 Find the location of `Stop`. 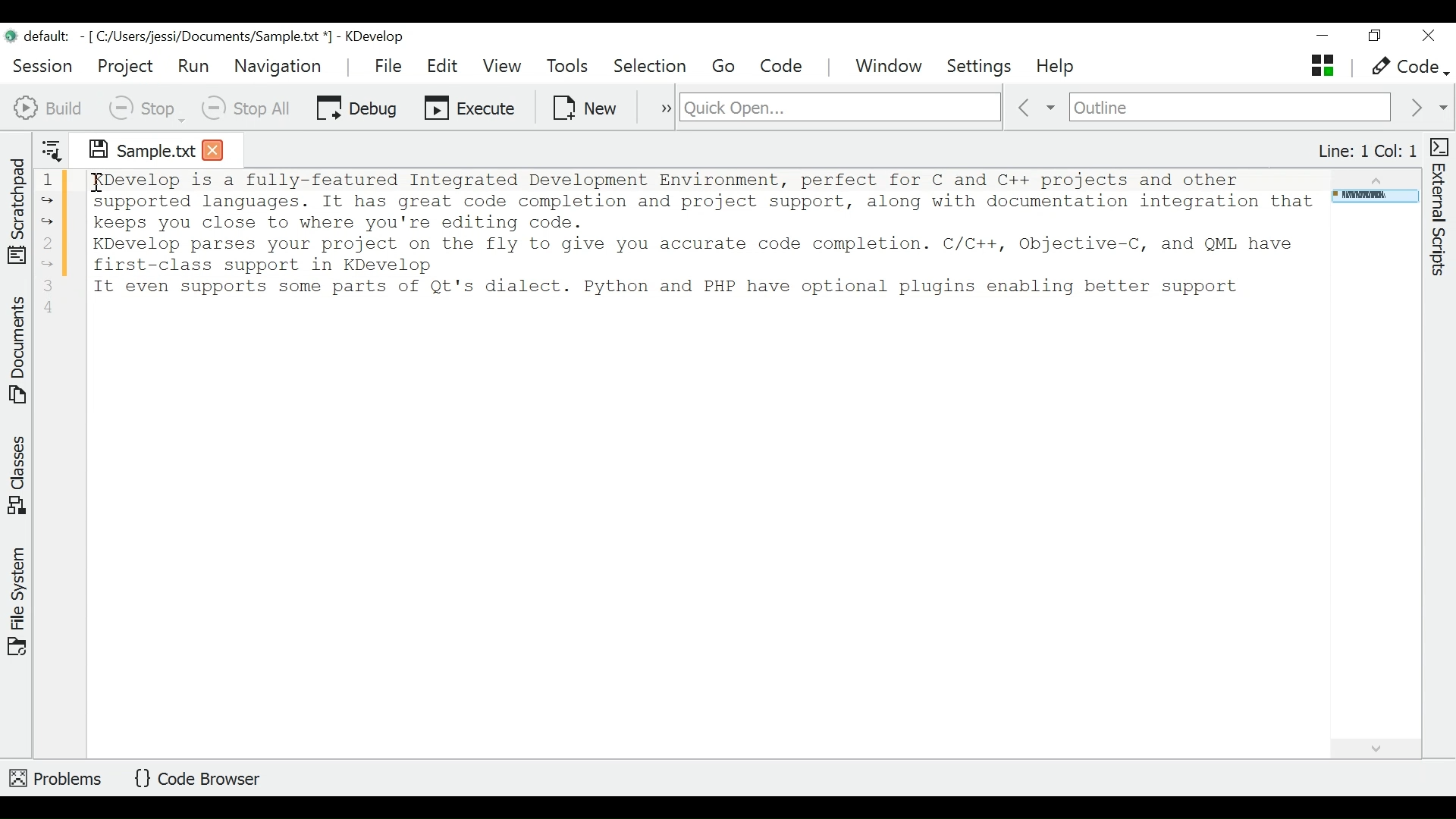

Stop is located at coordinates (145, 108).